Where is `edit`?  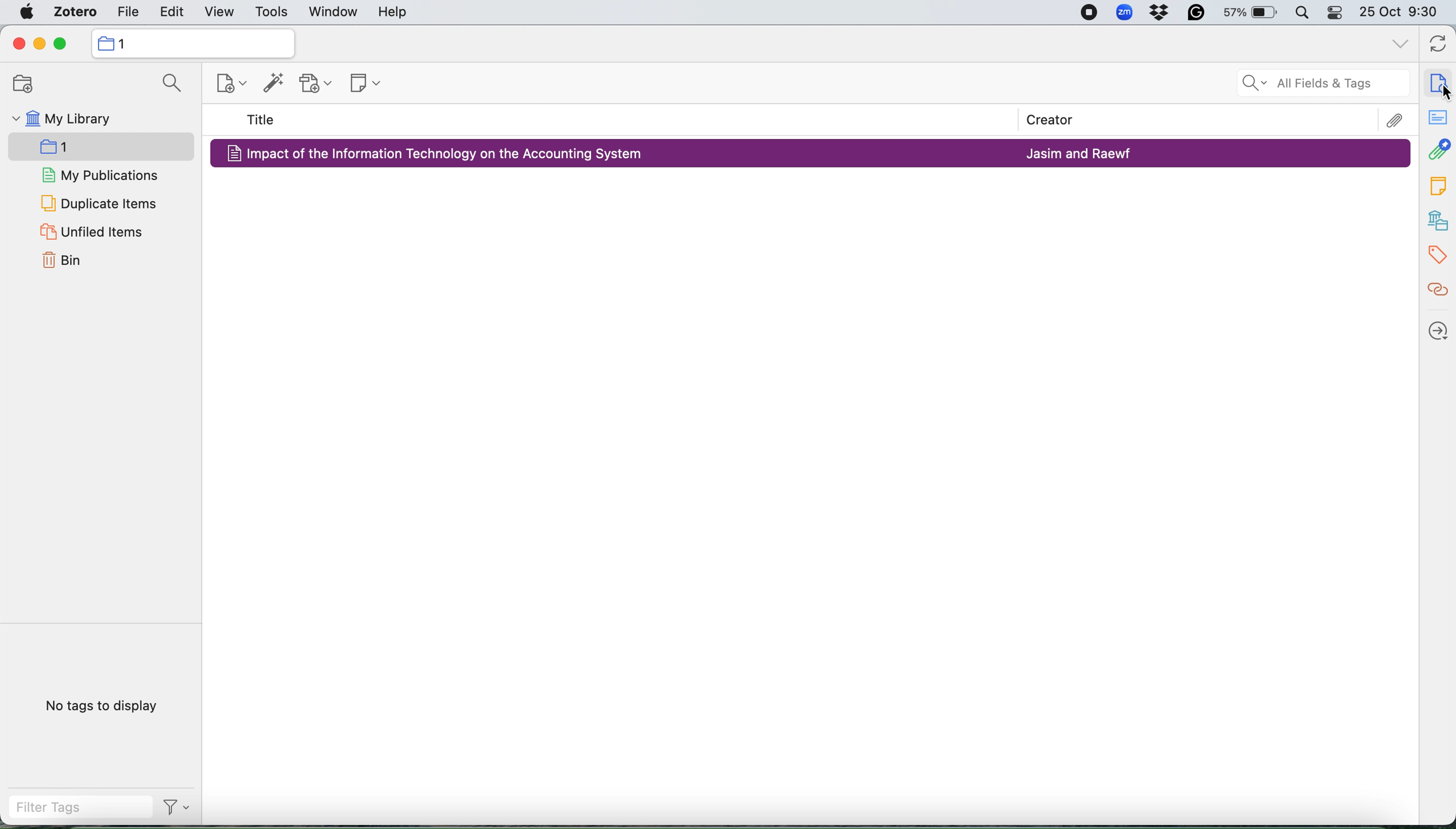 edit is located at coordinates (170, 10).